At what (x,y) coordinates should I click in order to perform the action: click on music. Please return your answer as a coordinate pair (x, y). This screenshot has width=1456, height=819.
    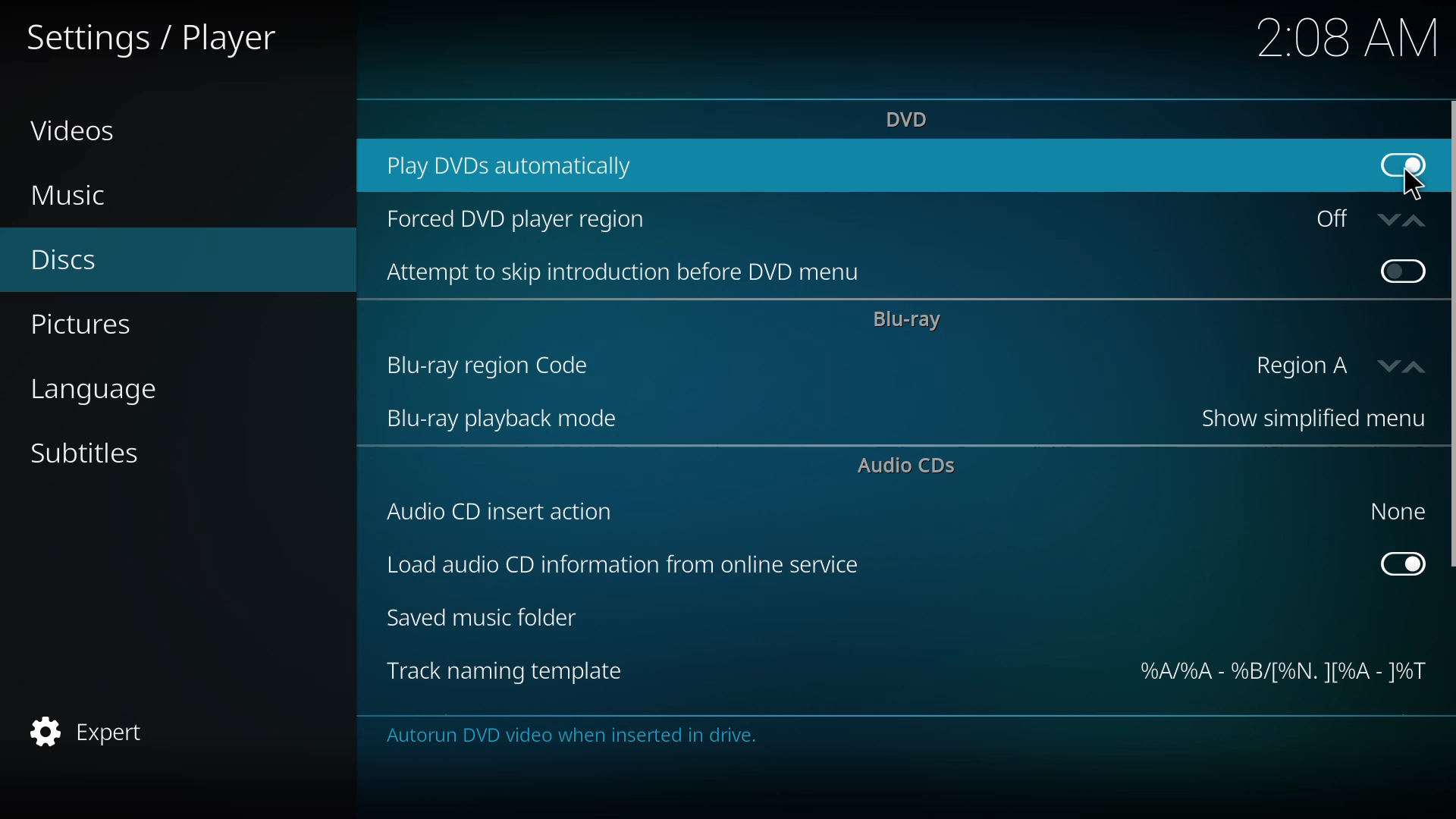
    Looking at the image, I should click on (69, 196).